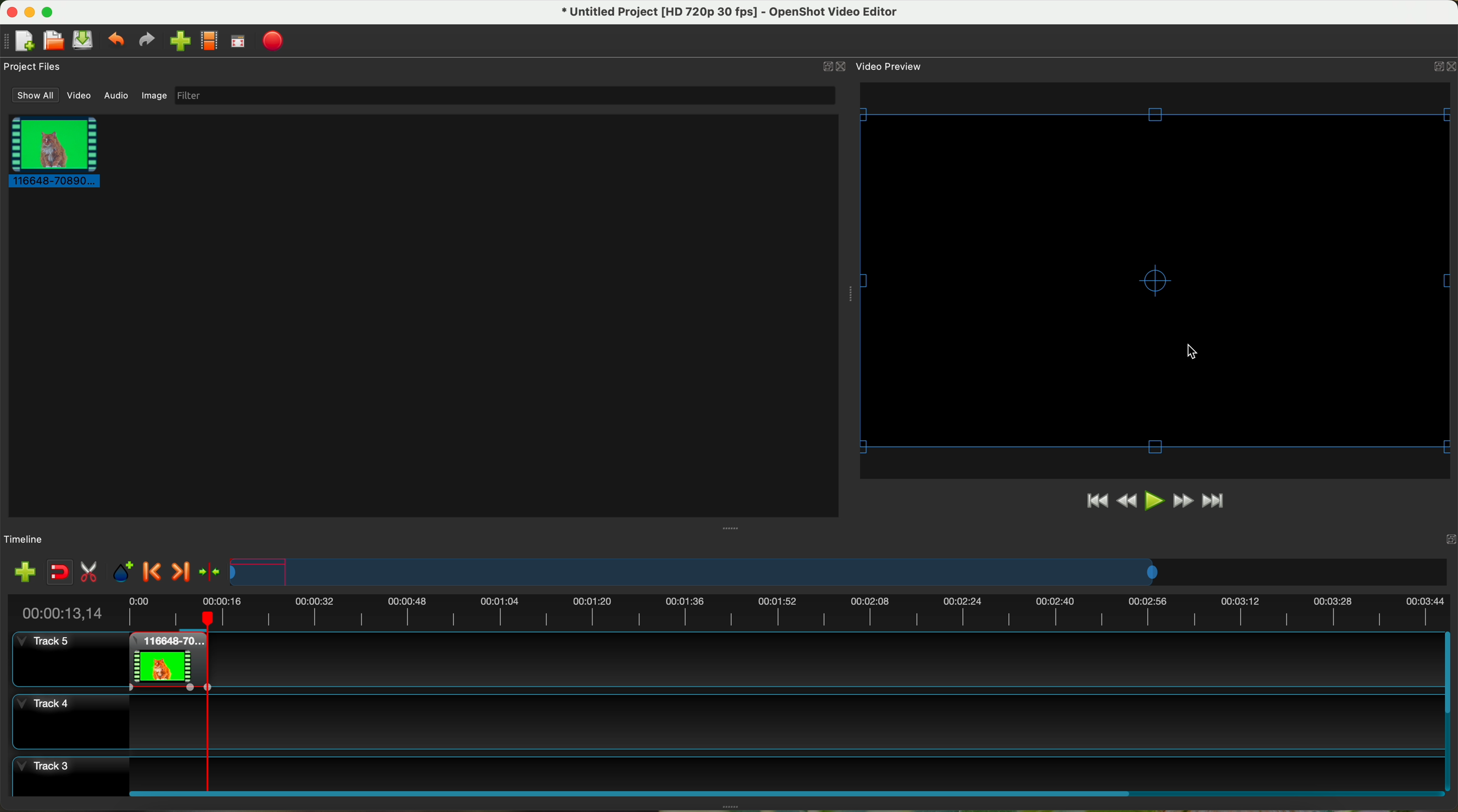 The width and height of the screenshot is (1458, 812). I want to click on applied effect, so click(169, 689).